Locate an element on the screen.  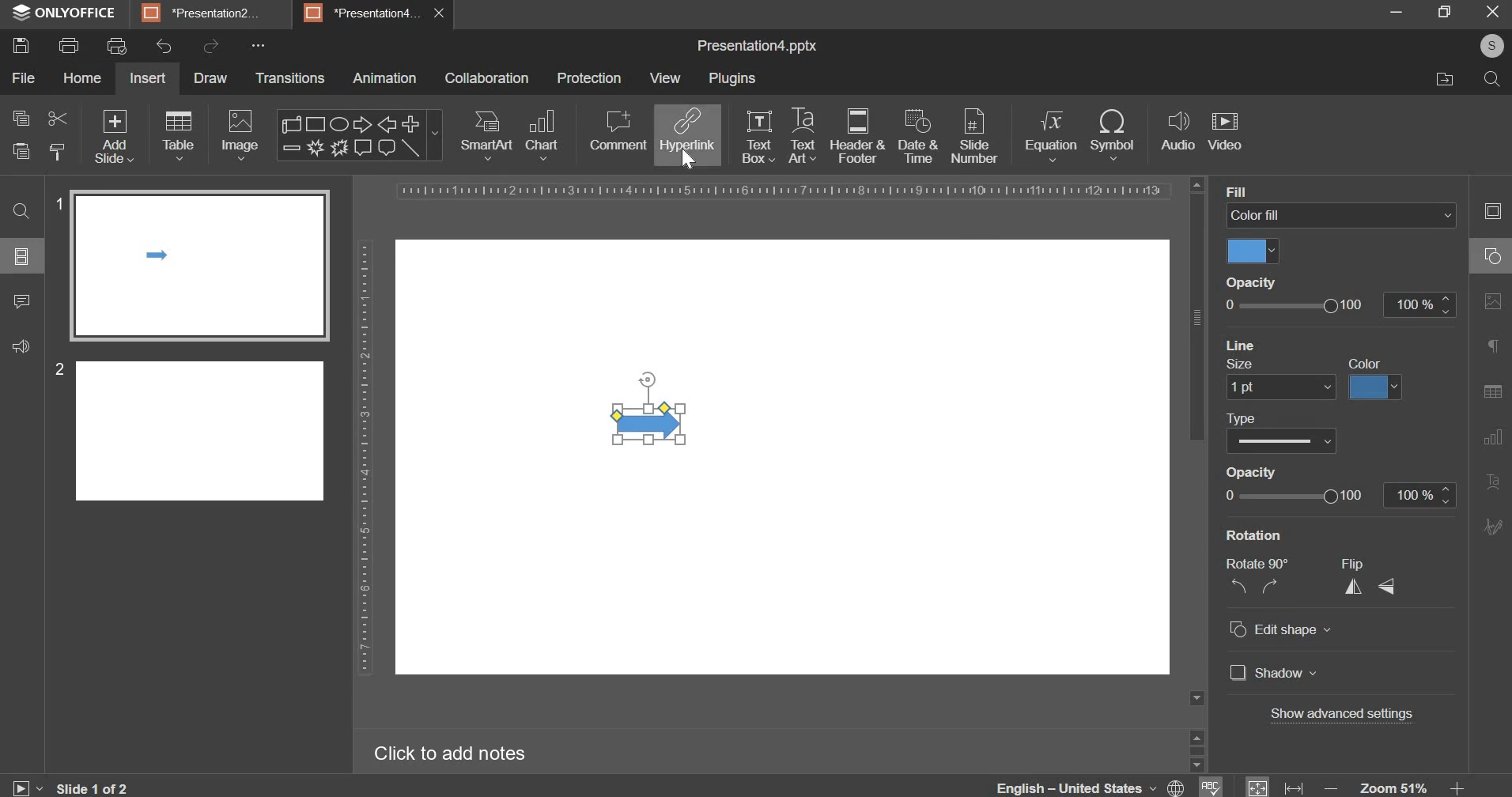
fit is located at coordinates (1273, 784).